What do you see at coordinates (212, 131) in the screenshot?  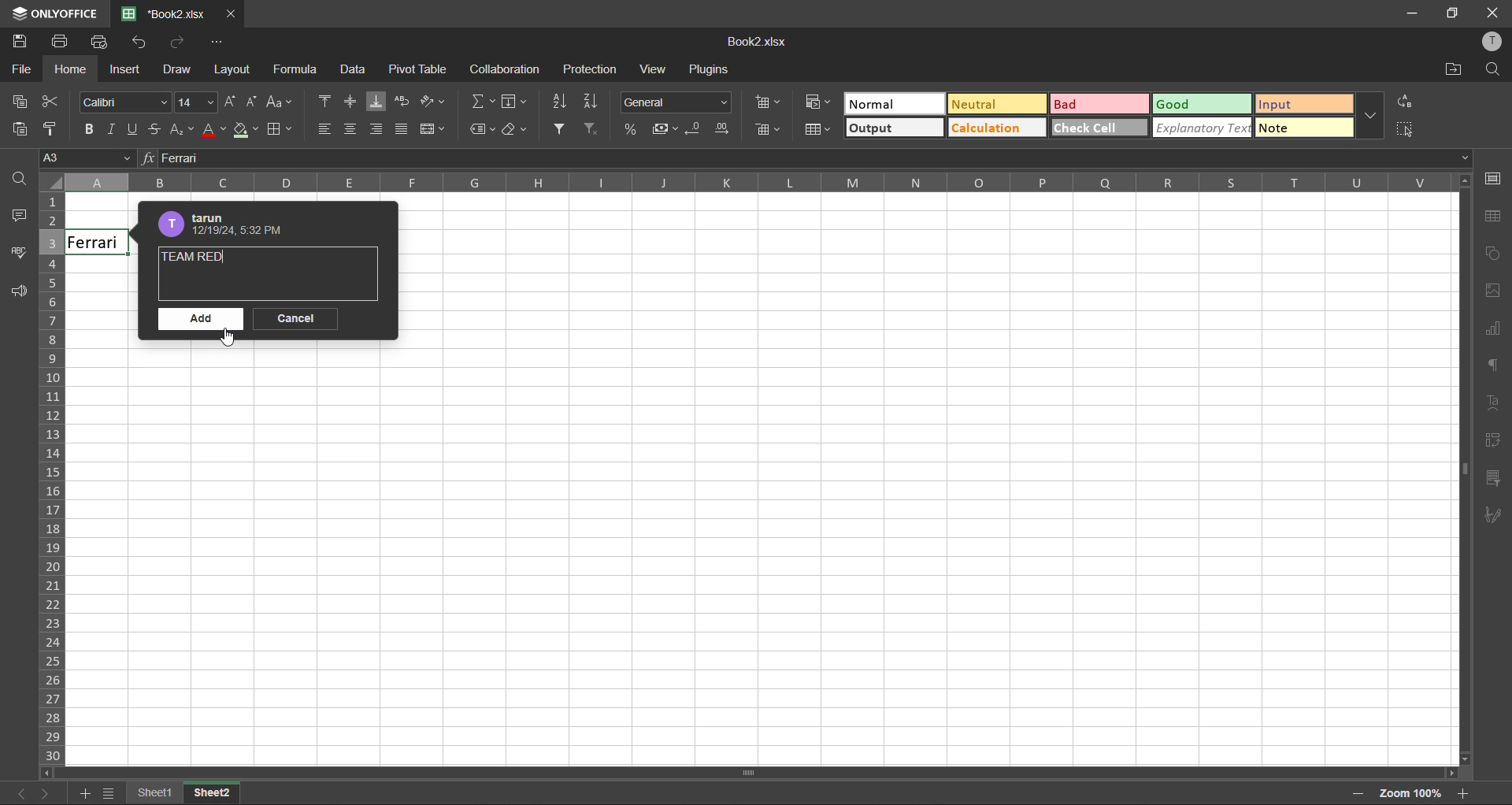 I see `font color` at bounding box center [212, 131].